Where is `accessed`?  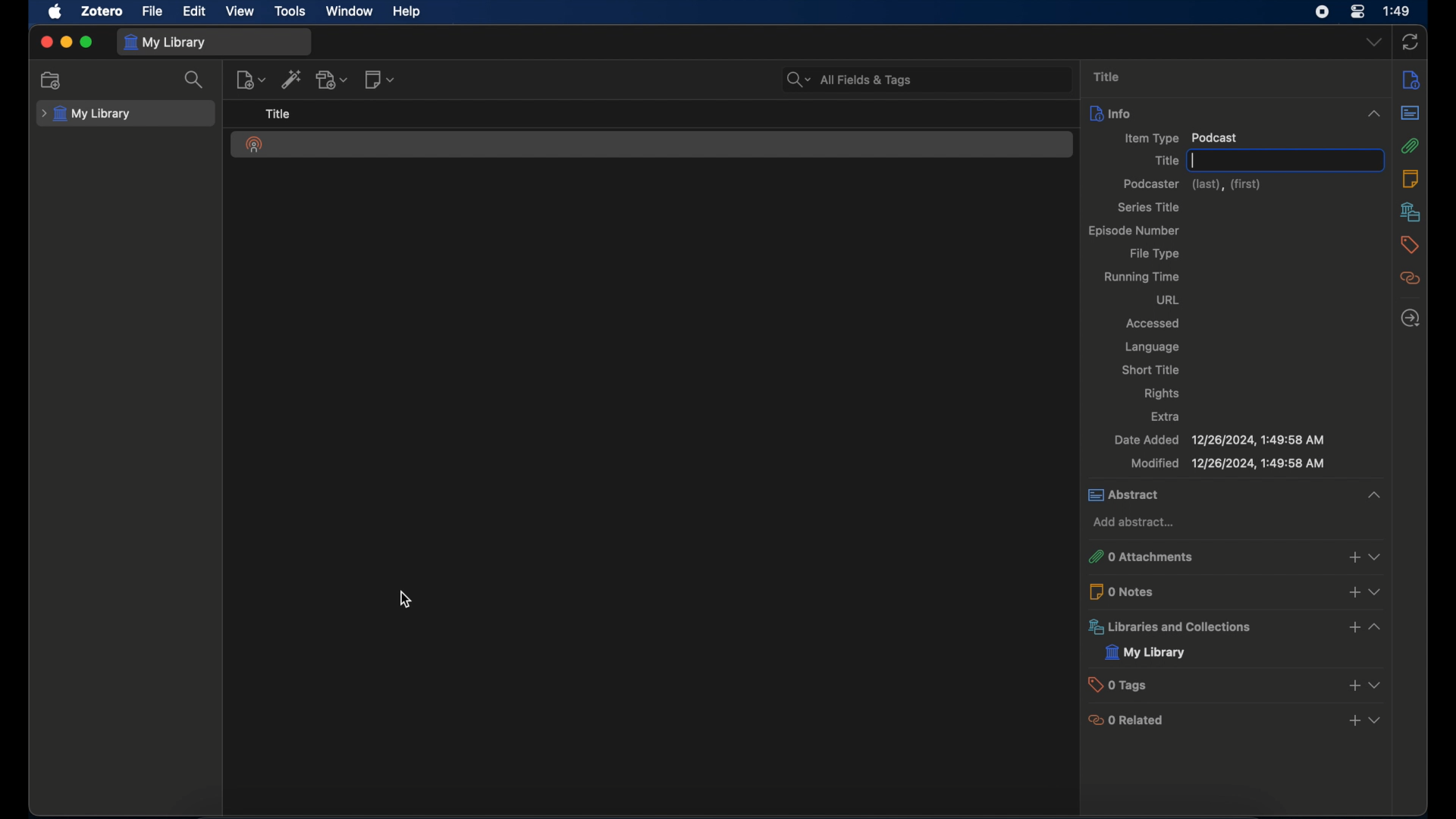 accessed is located at coordinates (1154, 325).